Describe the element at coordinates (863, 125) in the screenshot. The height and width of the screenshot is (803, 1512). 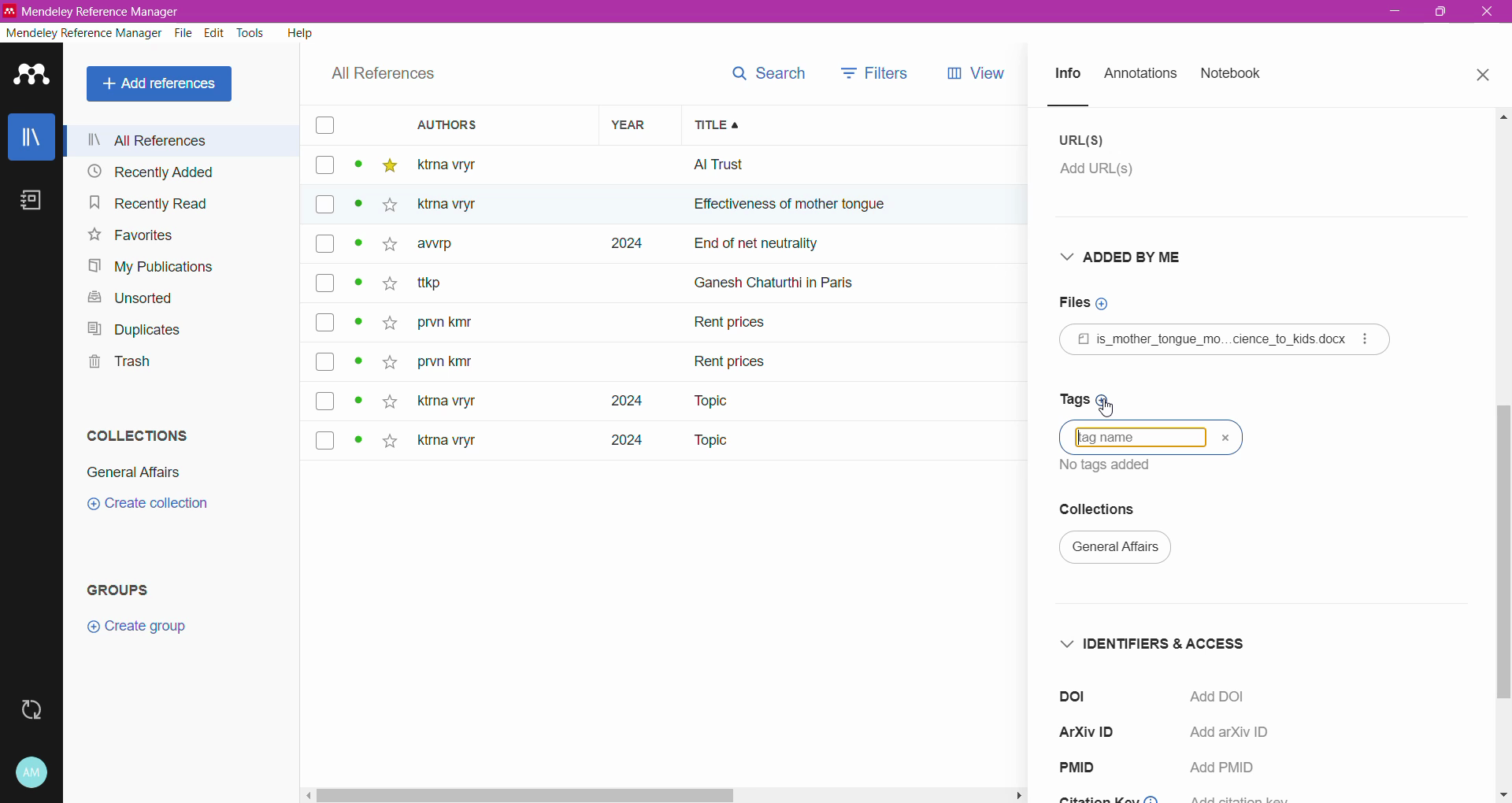
I see `Title` at that location.